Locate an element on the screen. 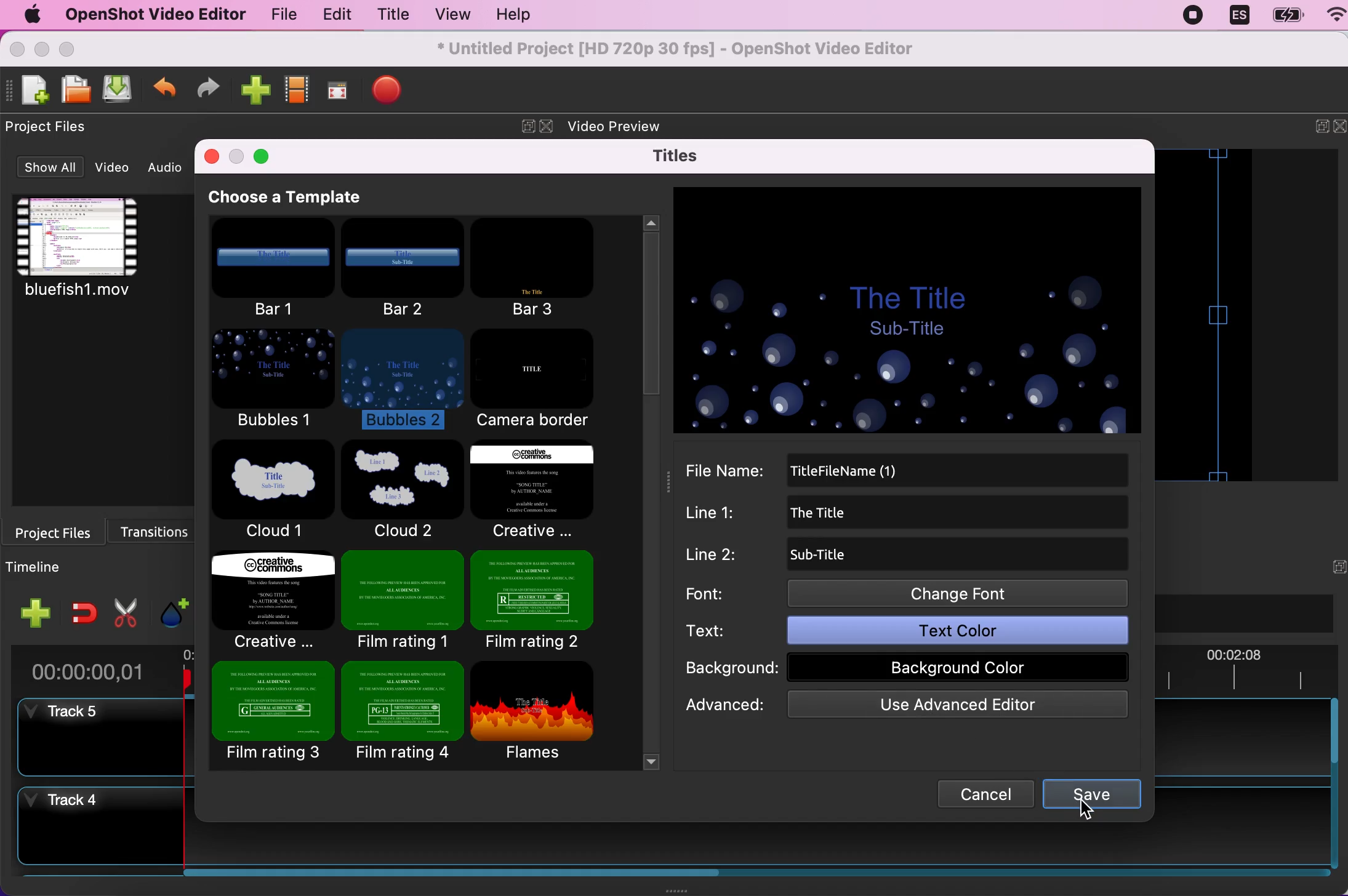  edit is located at coordinates (334, 15).